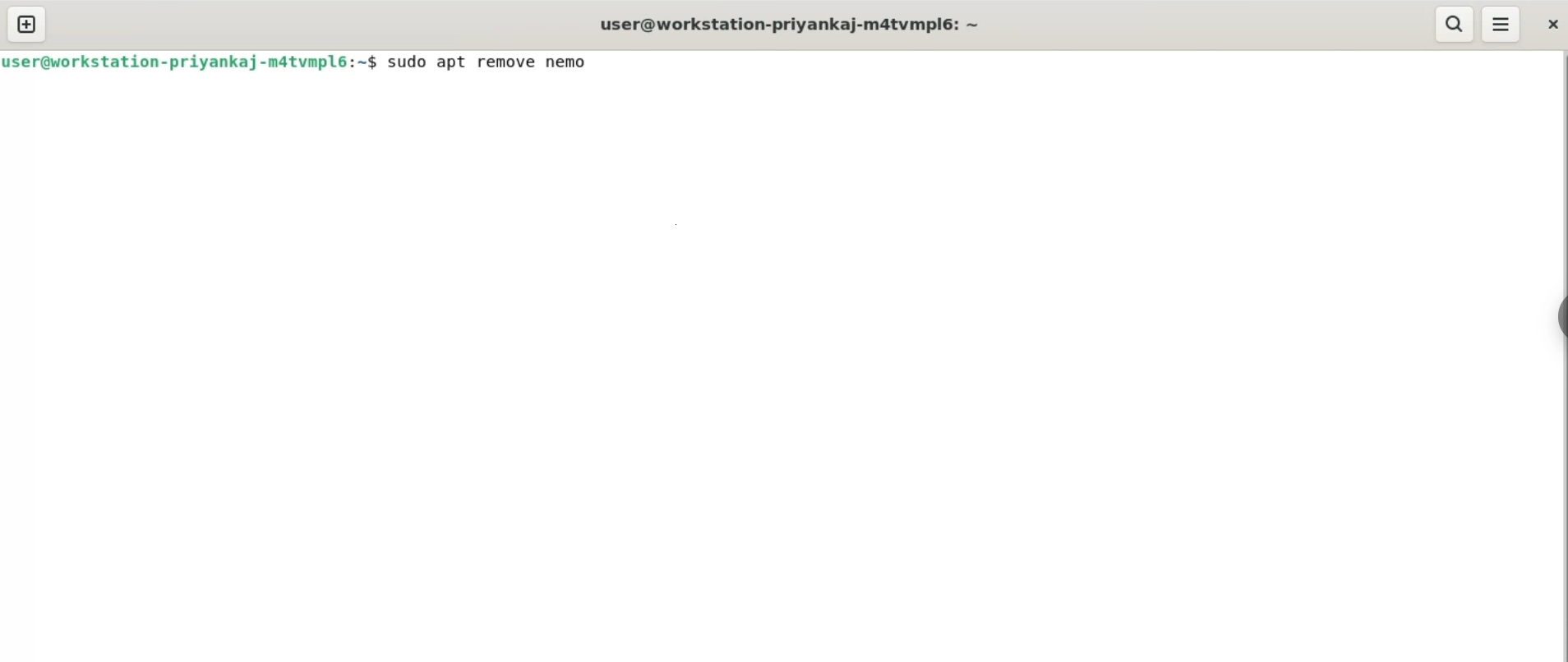  Describe the element at coordinates (1454, 23) in the screenshot. I see `search` at that location.